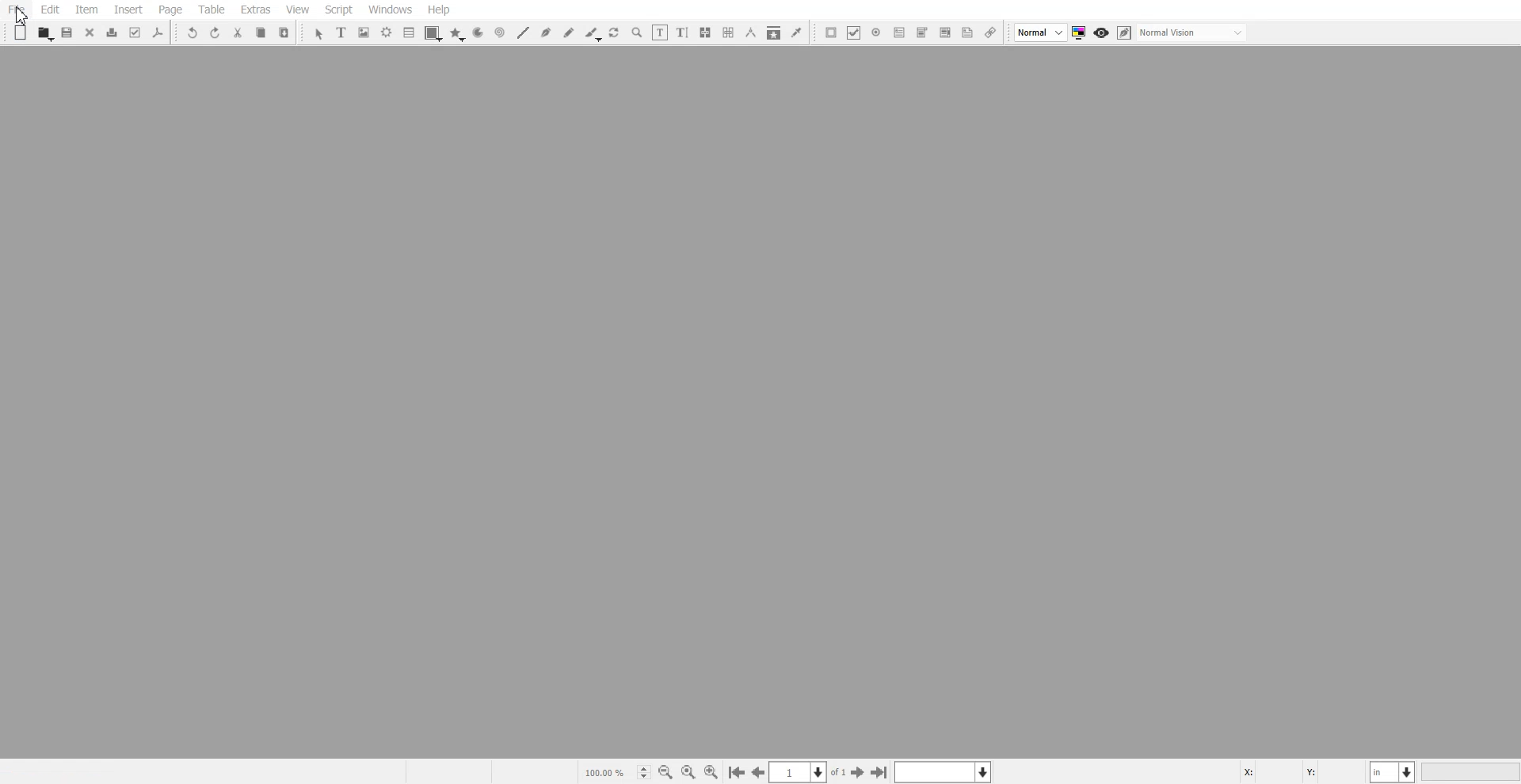 The height and width of the screenshot is (784, 1521). Describe the element at coordinates (457, 34) in the screenshot. I see `Polygon` at that location.